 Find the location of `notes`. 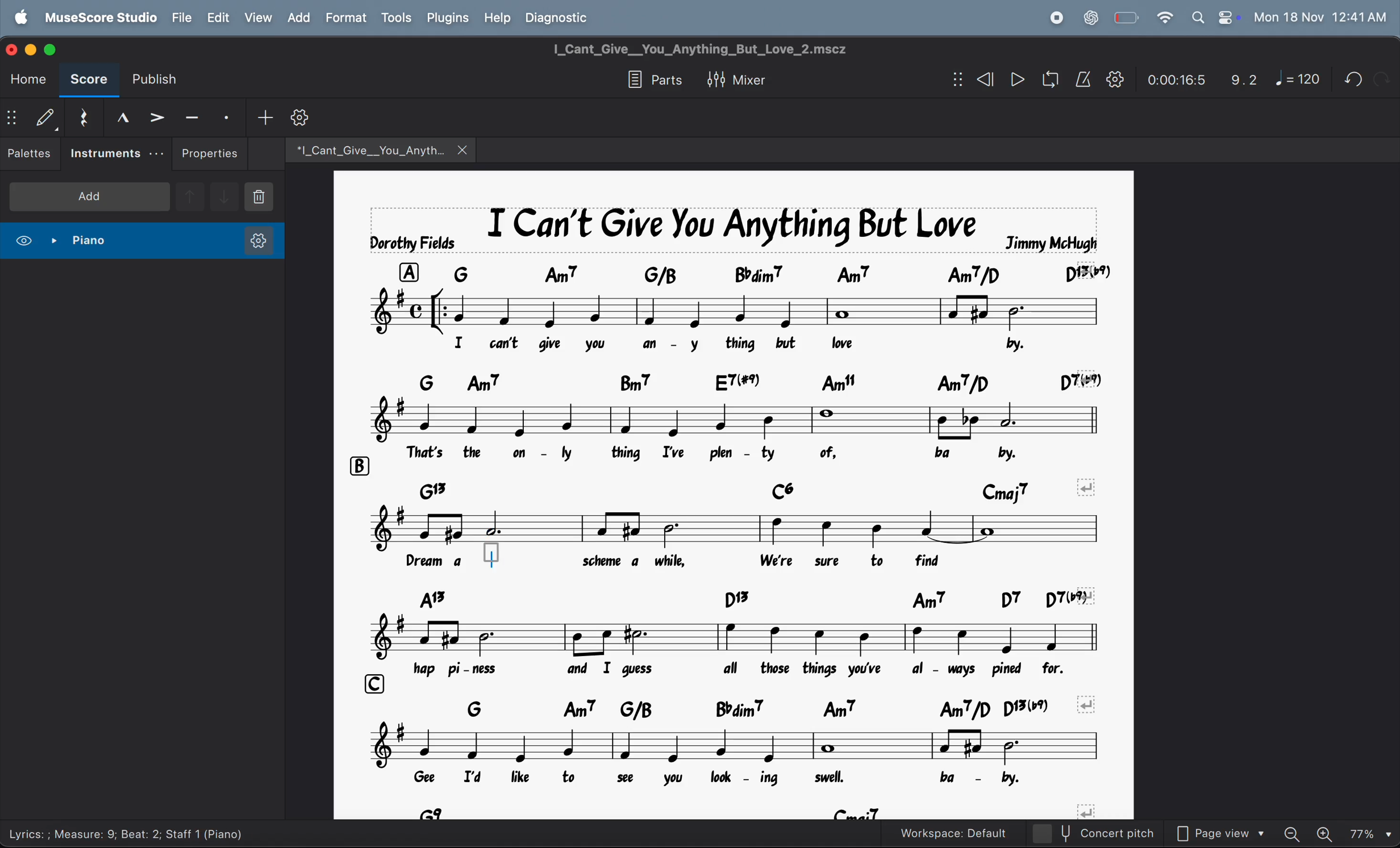

notes is located at coordinates (720, 419).